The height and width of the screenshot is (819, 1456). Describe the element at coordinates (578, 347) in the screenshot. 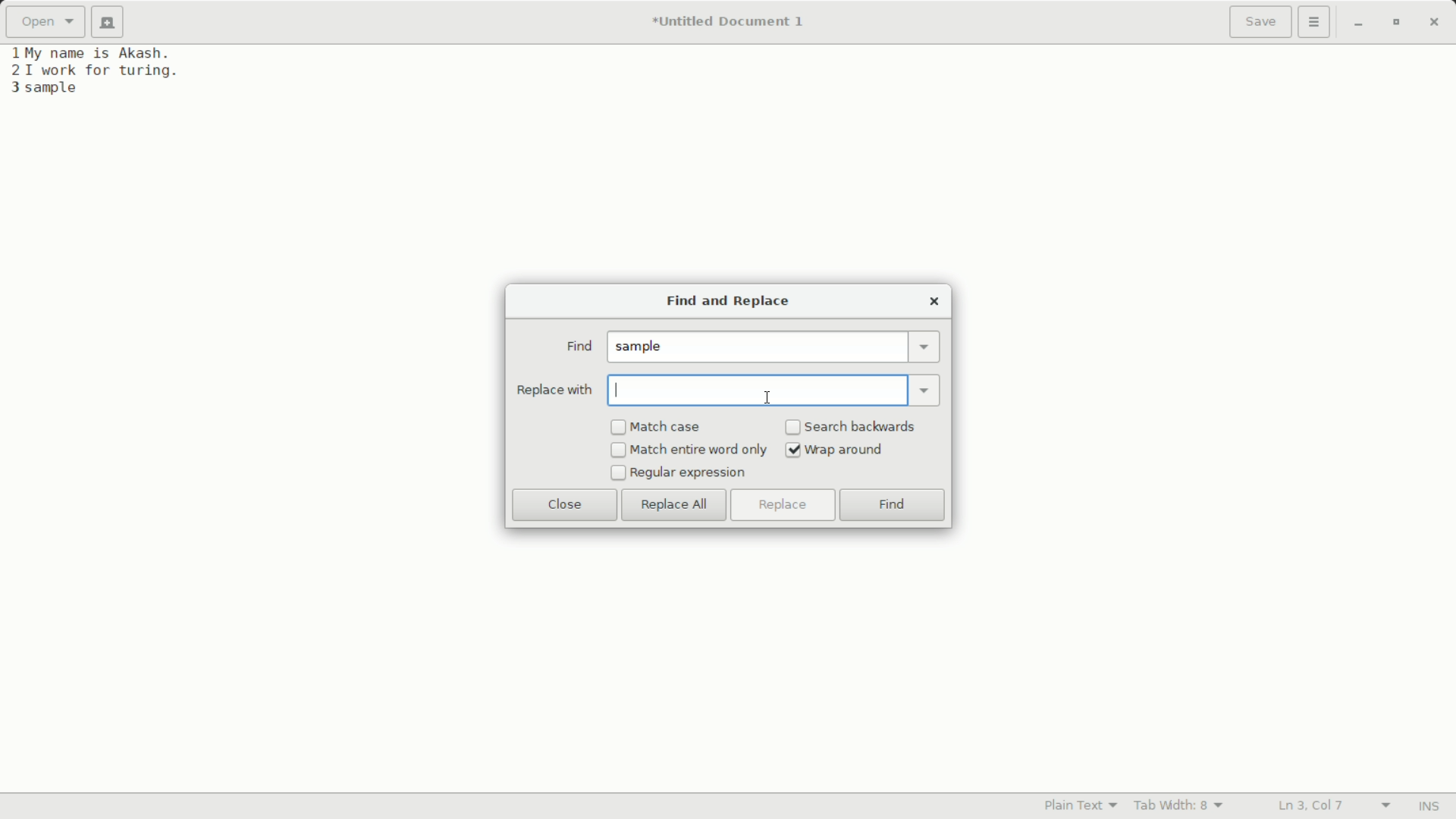

I see `find` at that location.